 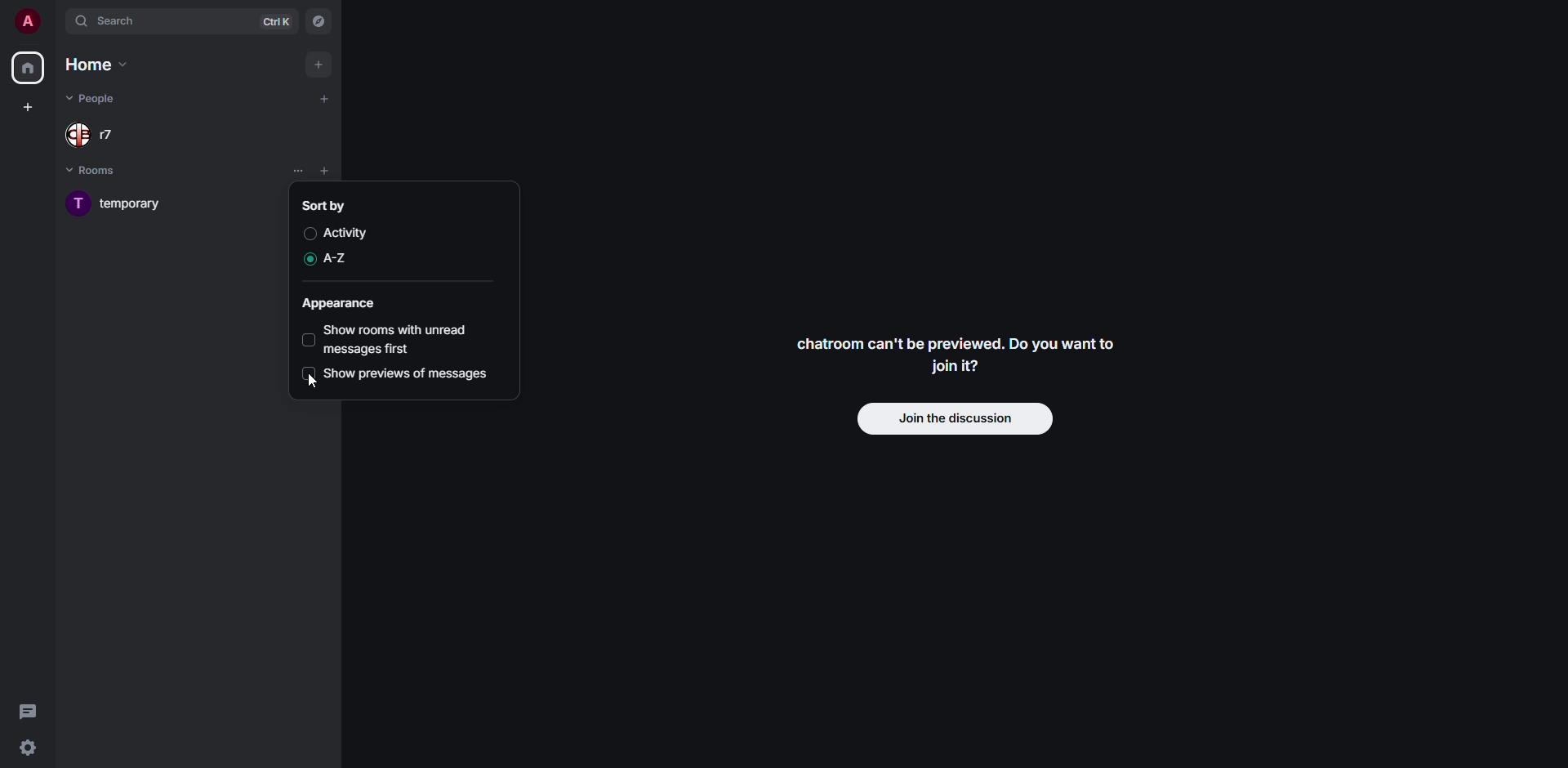 I want to click on enabled, so click(x=306, y=258).